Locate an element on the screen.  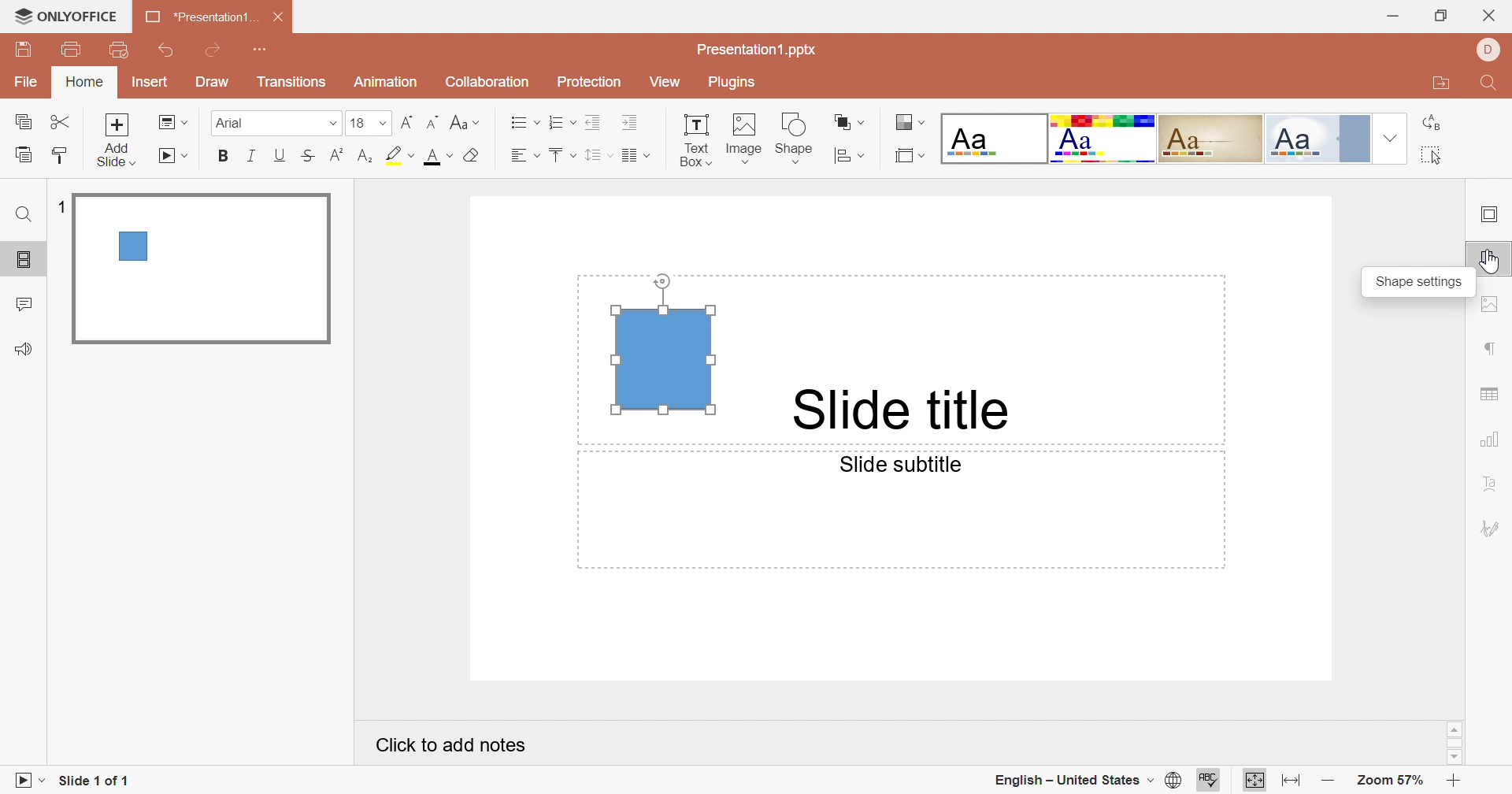
comments is located at coordinates (28, 303).